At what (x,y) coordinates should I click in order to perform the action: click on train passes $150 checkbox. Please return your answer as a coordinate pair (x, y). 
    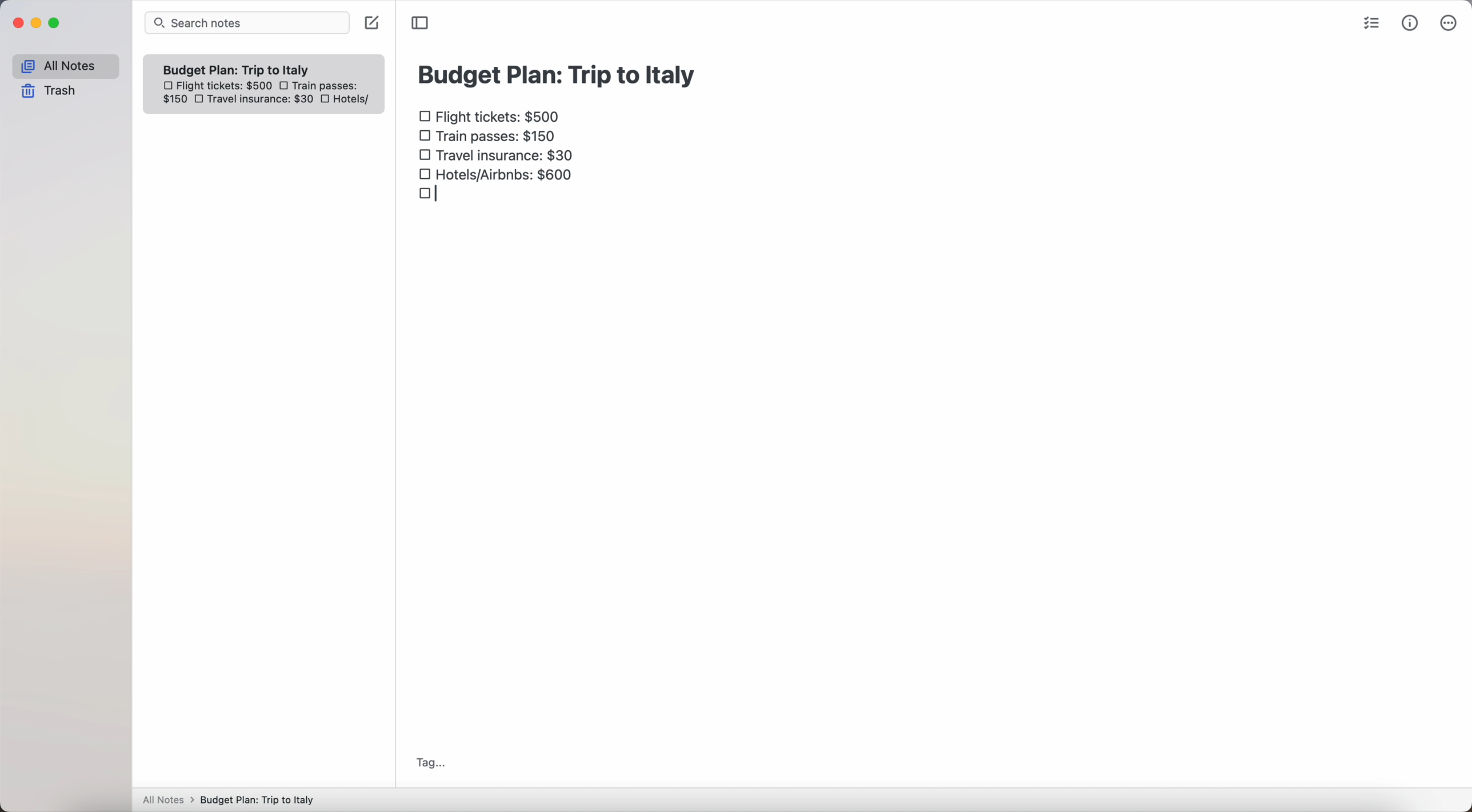
    Looking at the image, I should click on (489, 139).